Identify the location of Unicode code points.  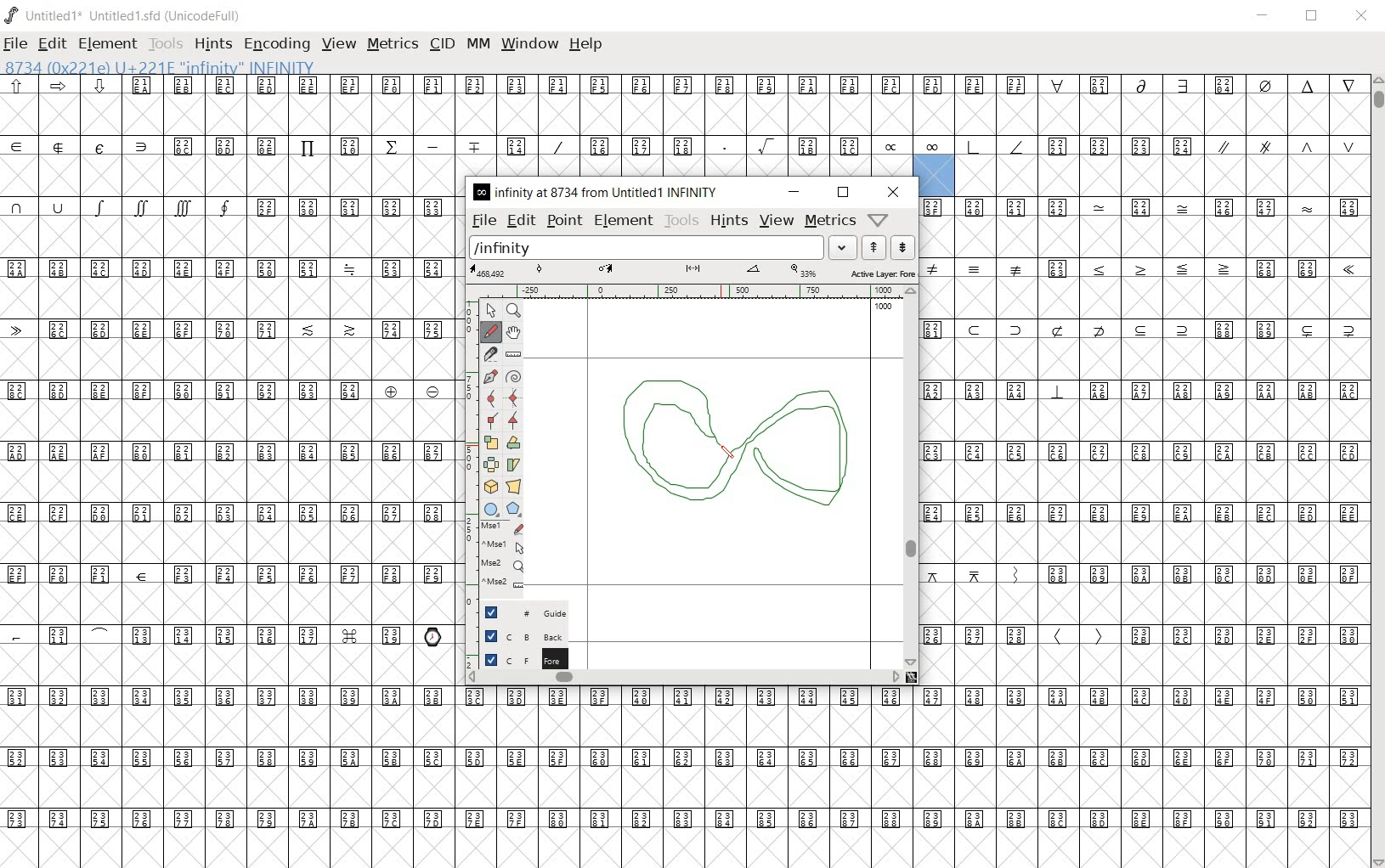
(1246, 208).